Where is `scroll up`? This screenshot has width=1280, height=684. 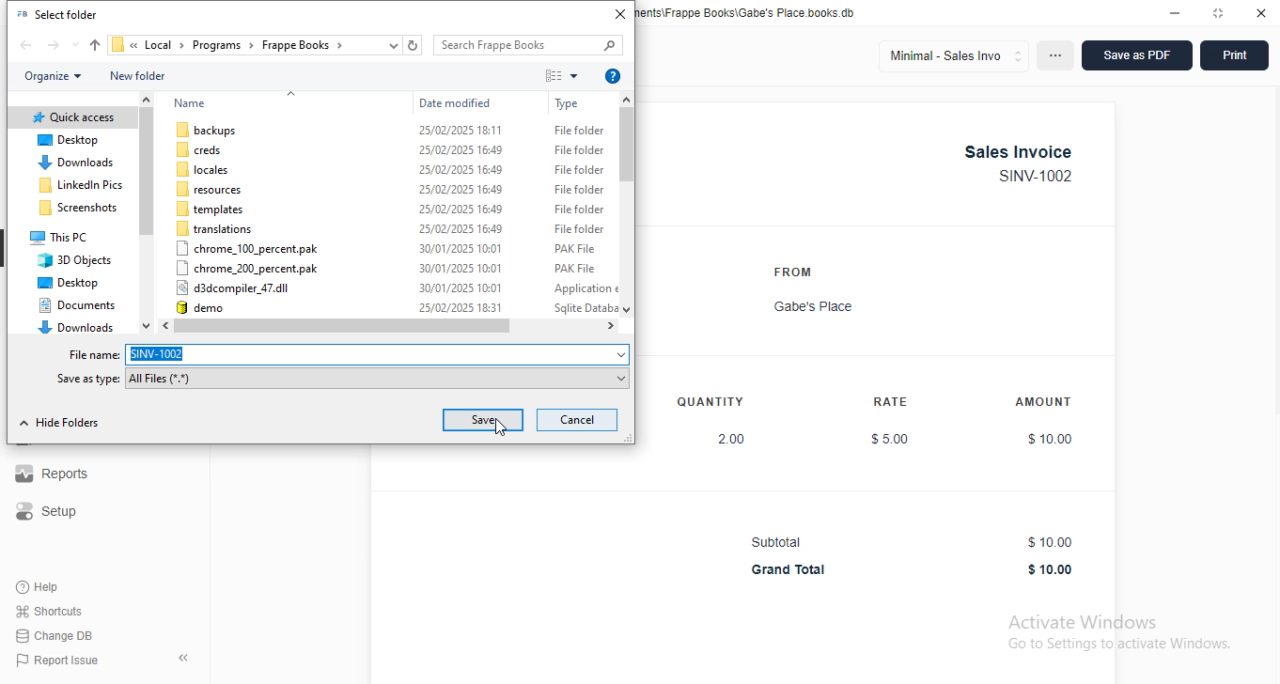 scroll up is located at coordinates (145, 100).